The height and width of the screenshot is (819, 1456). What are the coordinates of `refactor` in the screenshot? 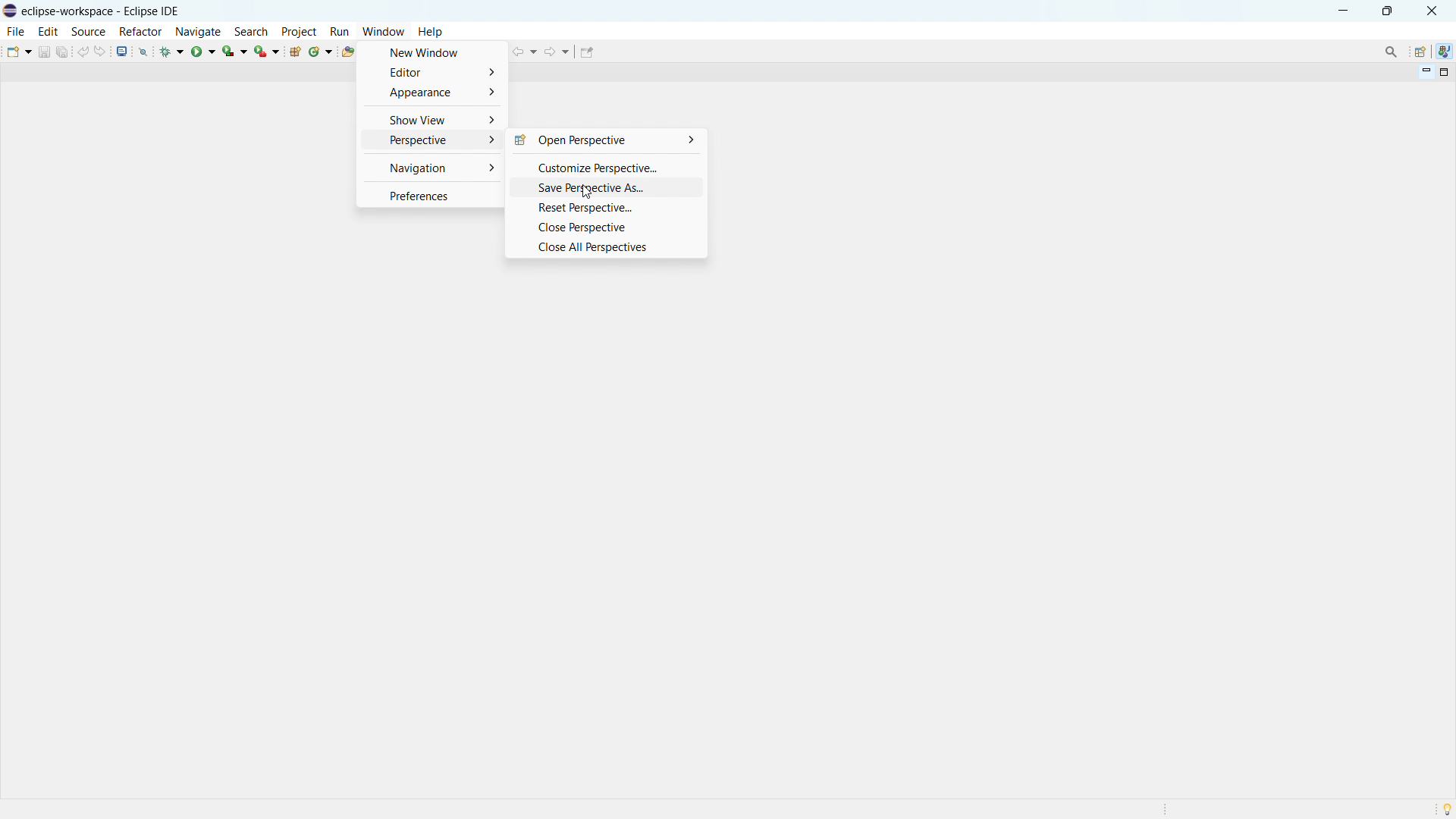 It's located at (141, 33).